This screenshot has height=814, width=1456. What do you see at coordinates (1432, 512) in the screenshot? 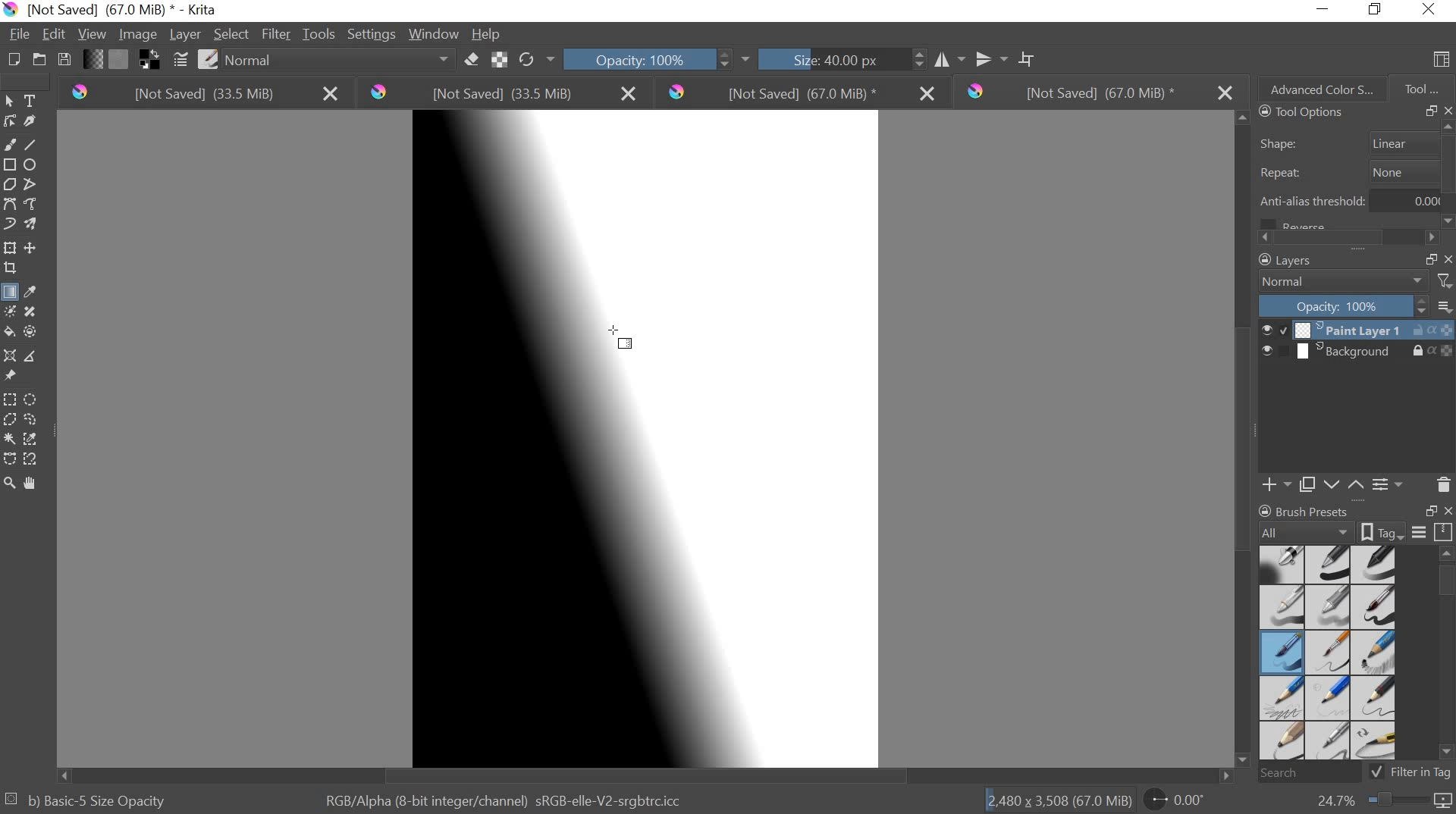
I see `RESTORE DOWN` at bounding box center [1432, 512].